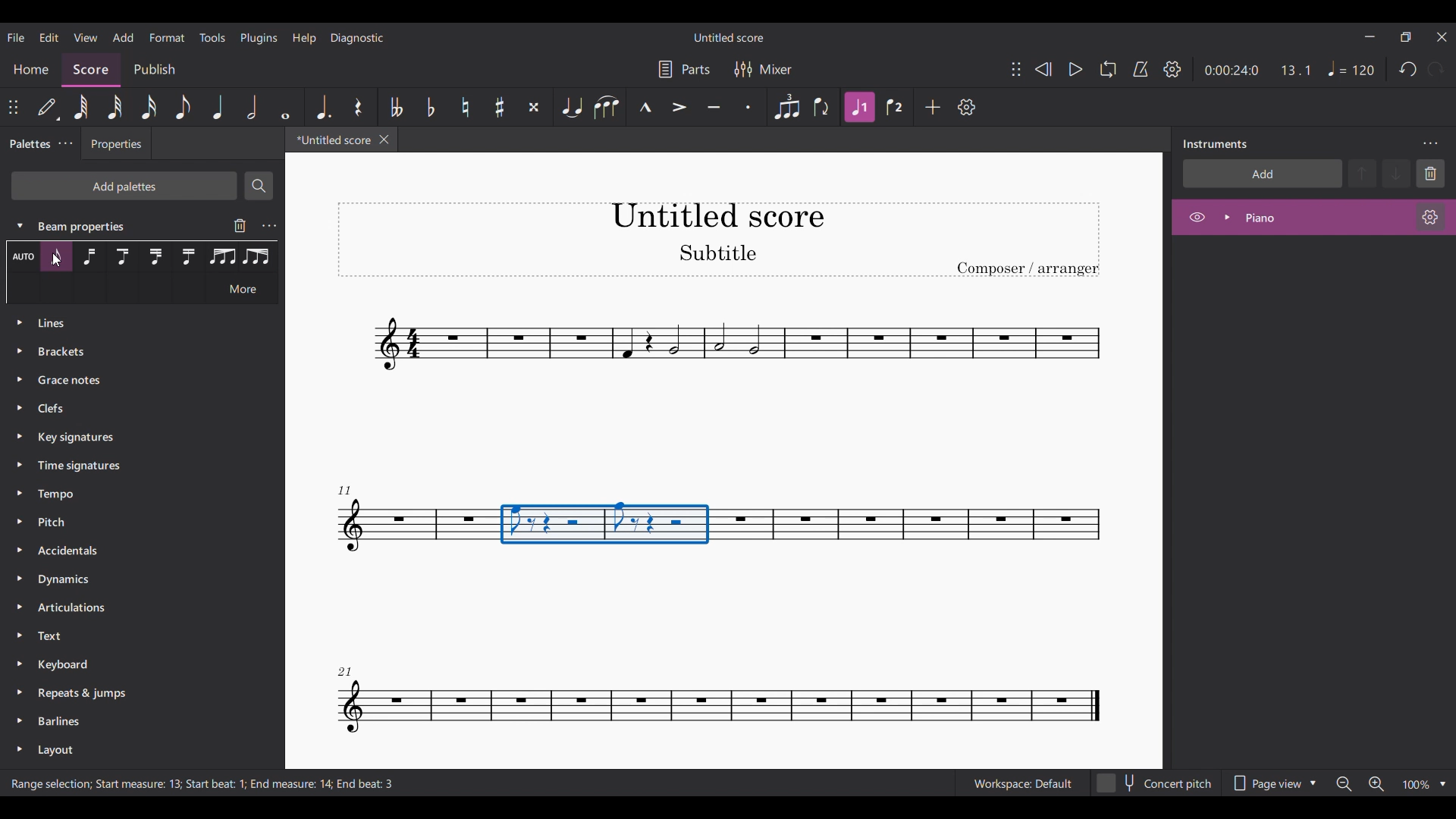  What do you see at coordinates (56, 256) in the screenshot?
I see `Highlighted as current selection` at bounding box center [56, 256].